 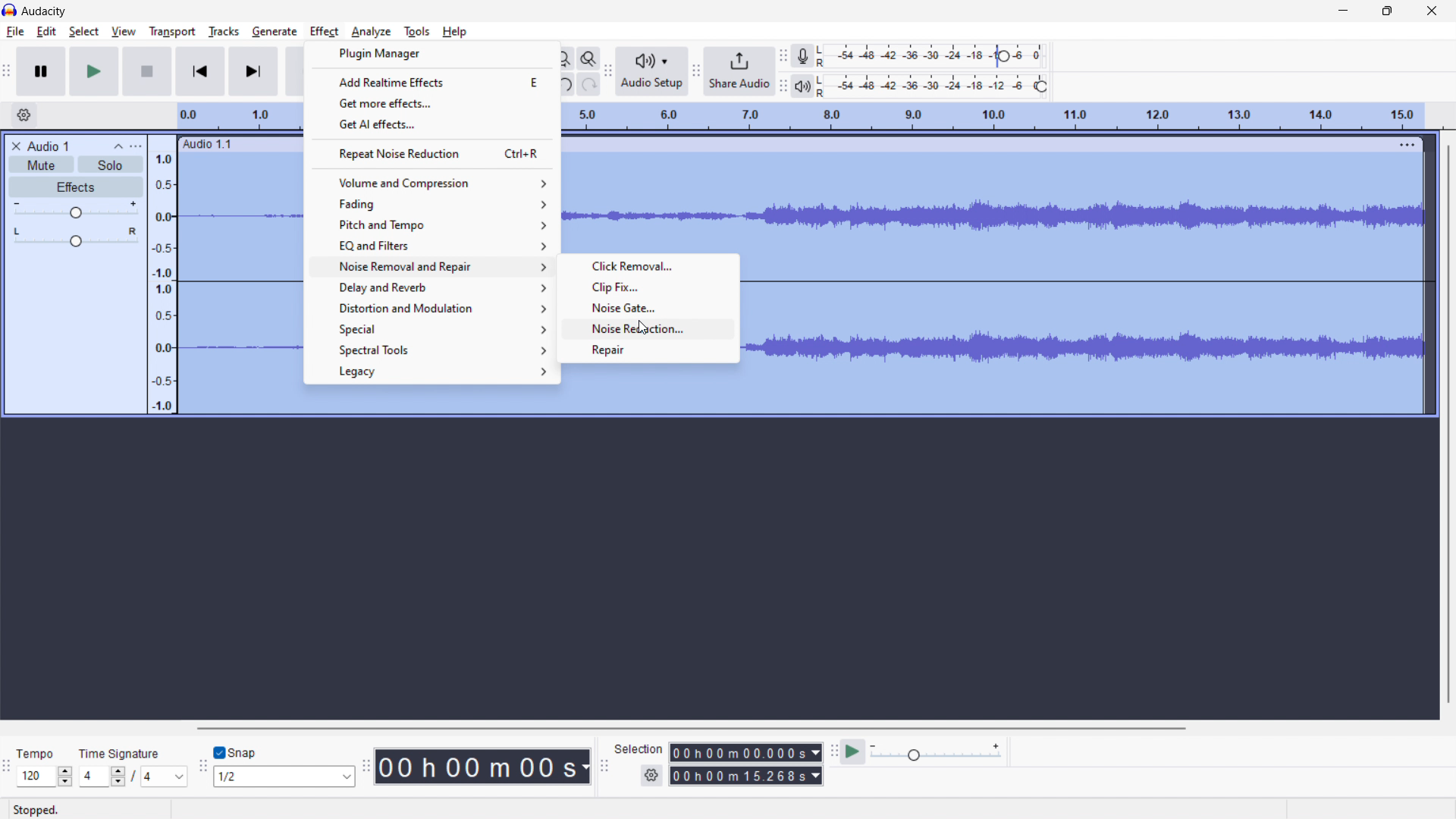 I want to click on delay and reverb, so click(x=428, y=287).